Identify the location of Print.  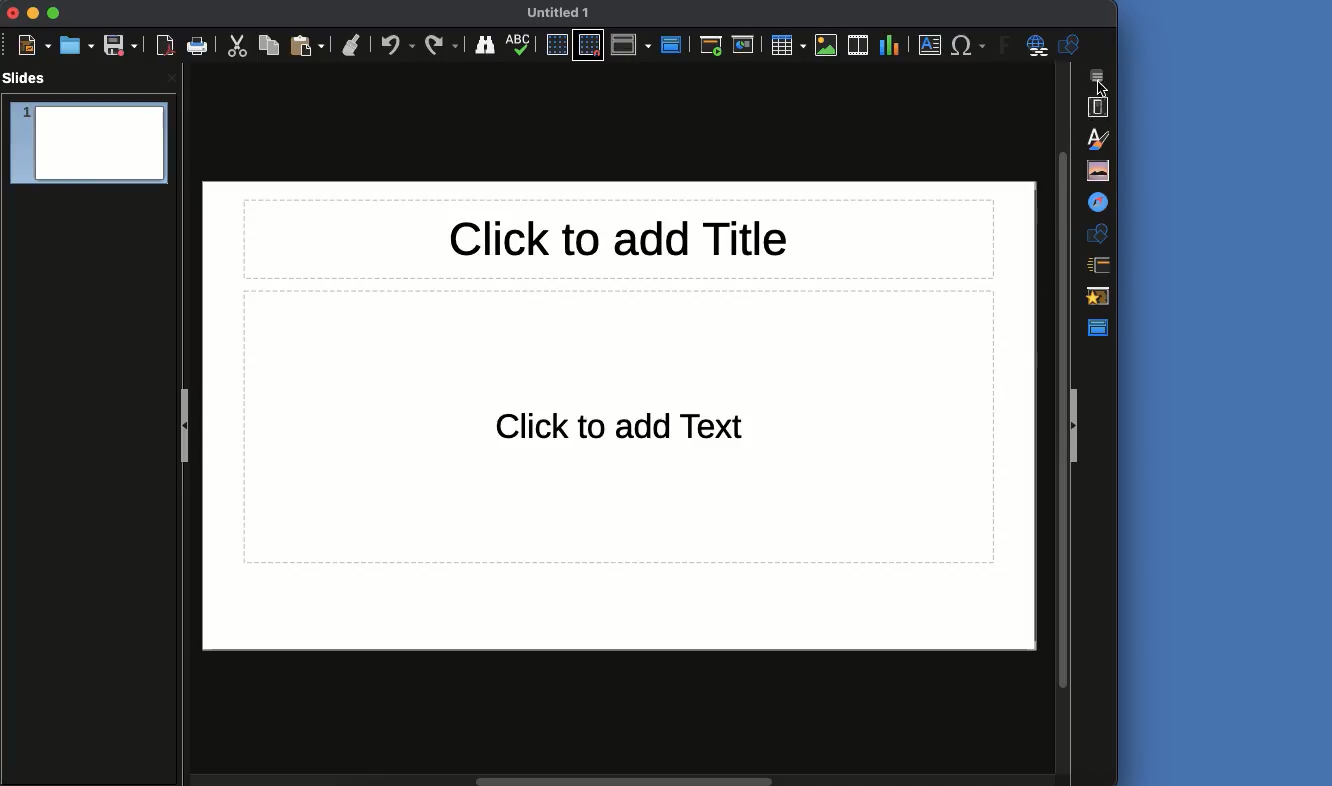
(197, 46).